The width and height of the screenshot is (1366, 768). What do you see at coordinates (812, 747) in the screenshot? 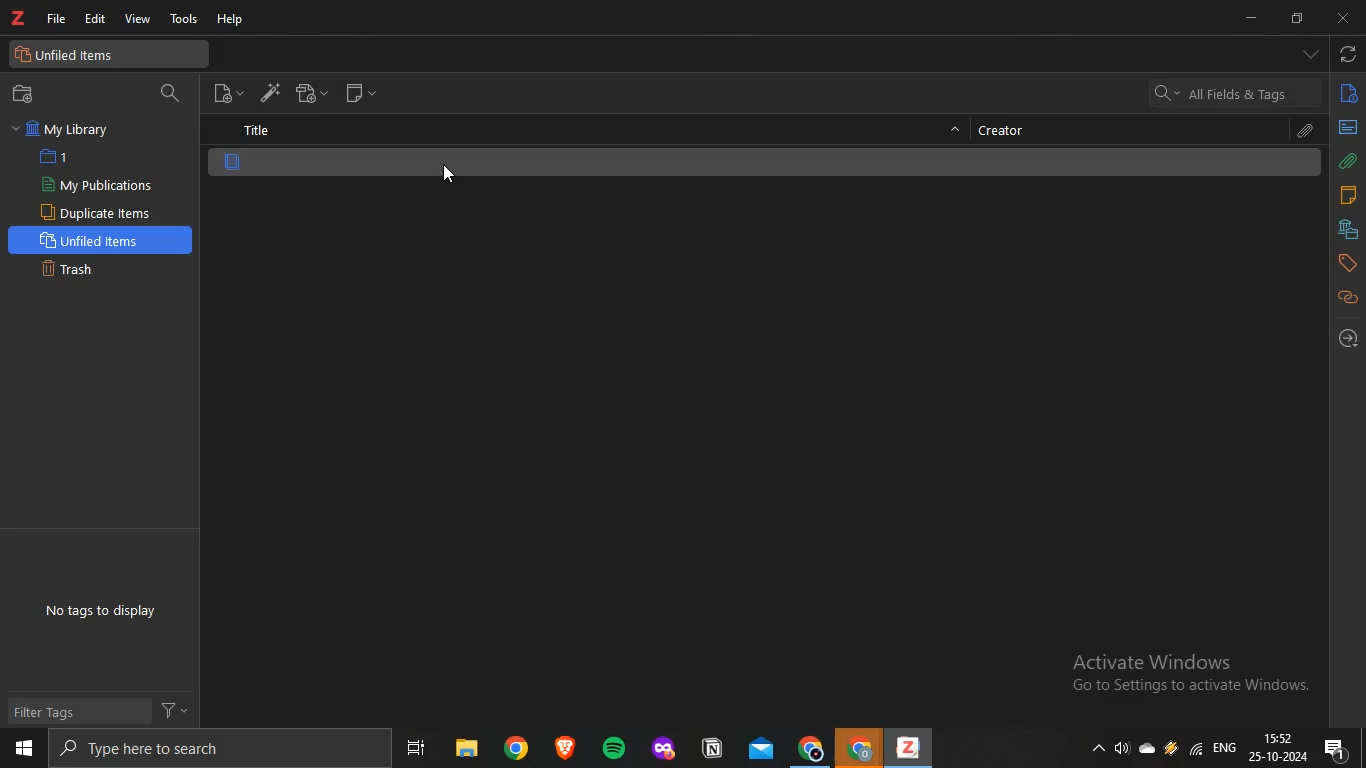
I see `chrome` at bounding box center [812, 747].